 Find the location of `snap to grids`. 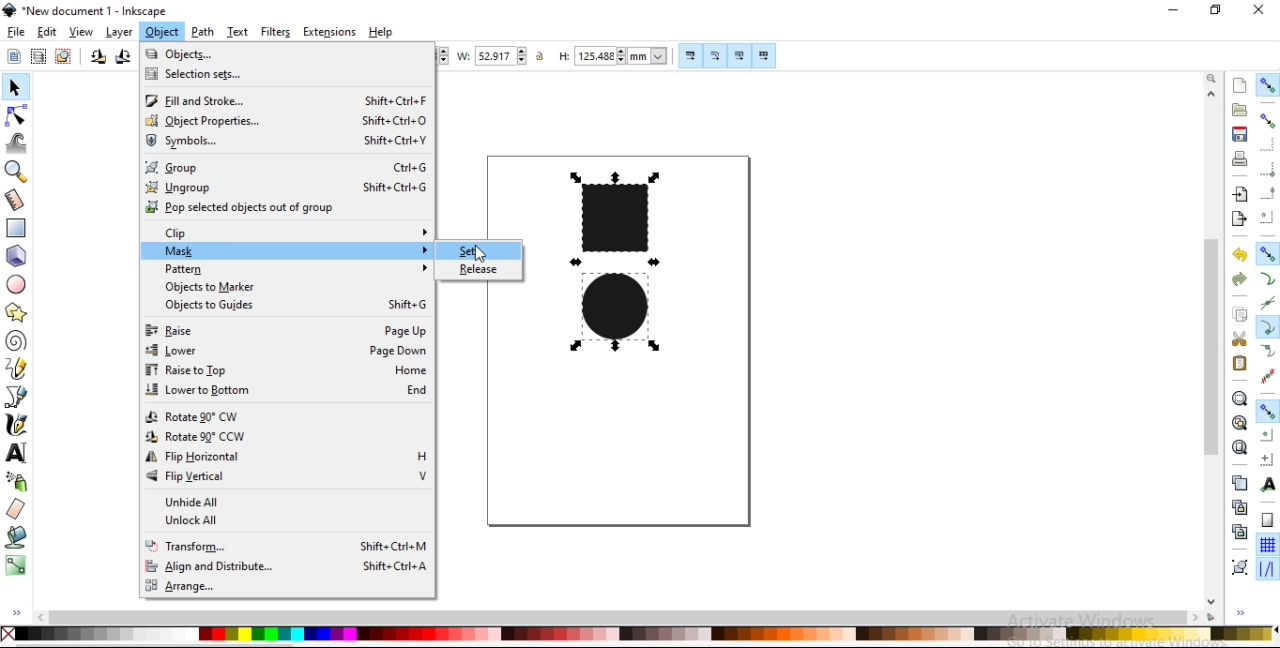

snap to grids is located at coordinates (1267, 544).